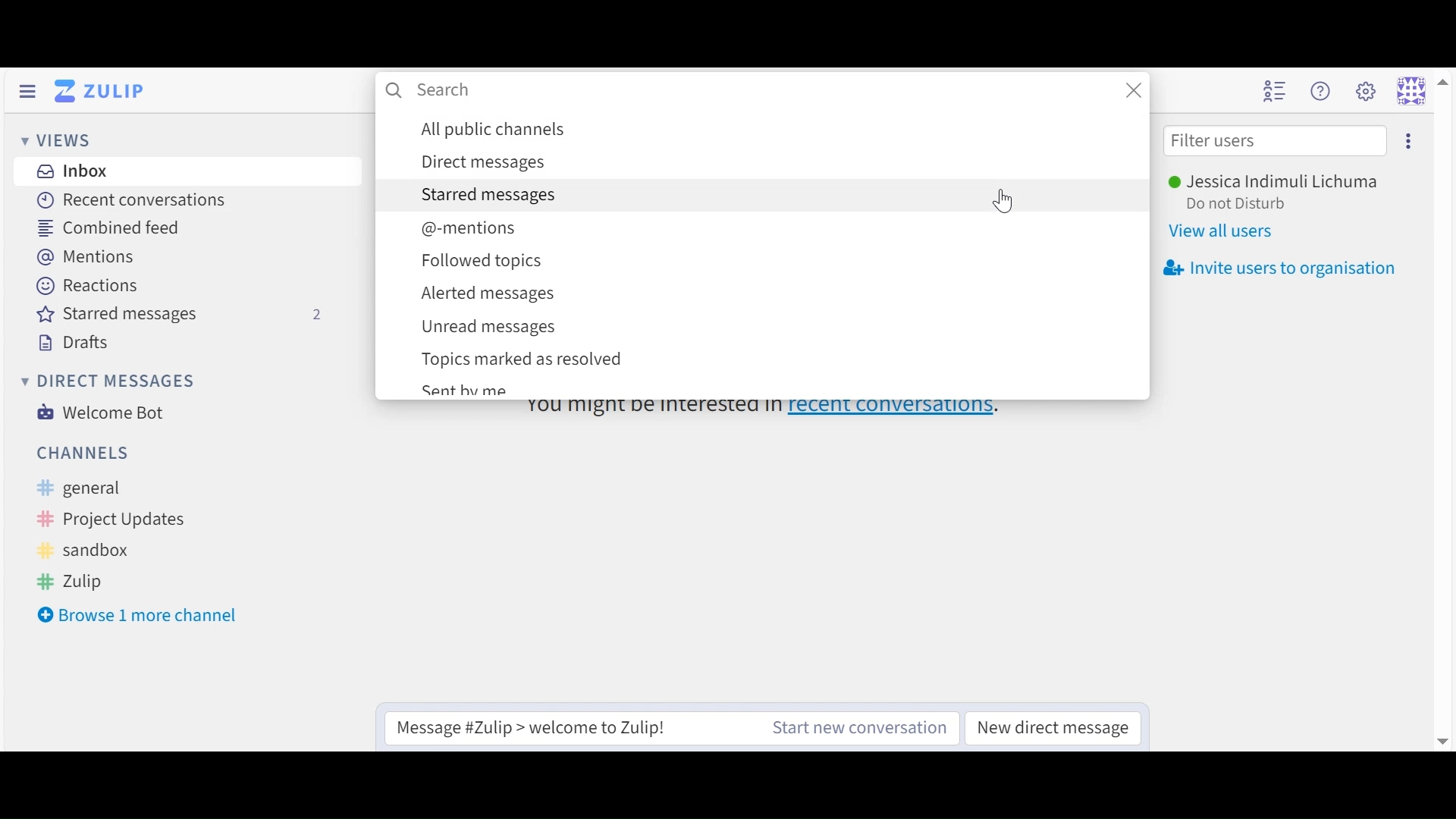  I want to click on recent conversations, so click(767, 405).